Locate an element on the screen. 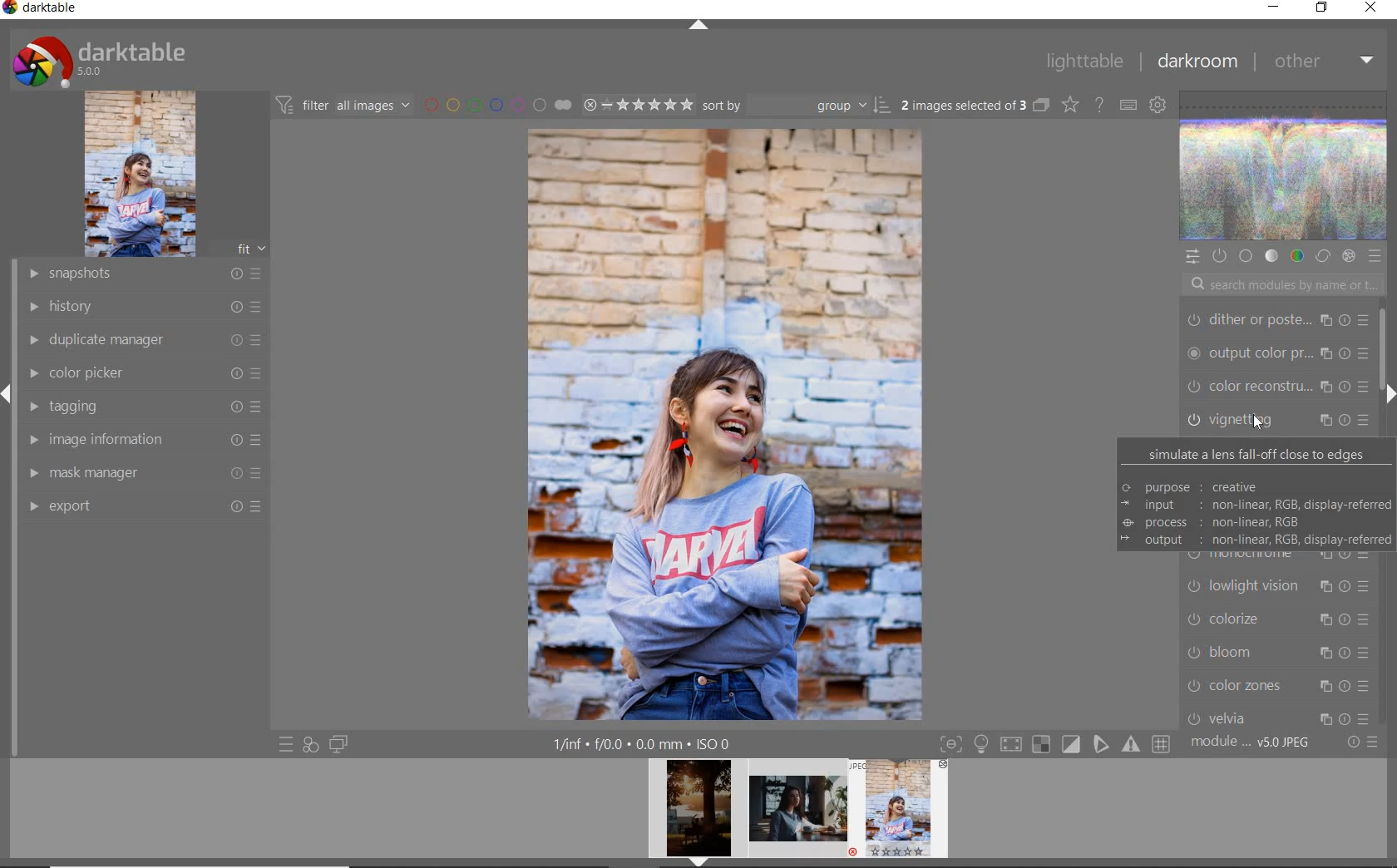 Image resolution: width=1397 pixels, height=868 pixels. SHOW GLOBAL PREFERENCES is located at coordinates (1156, 104).